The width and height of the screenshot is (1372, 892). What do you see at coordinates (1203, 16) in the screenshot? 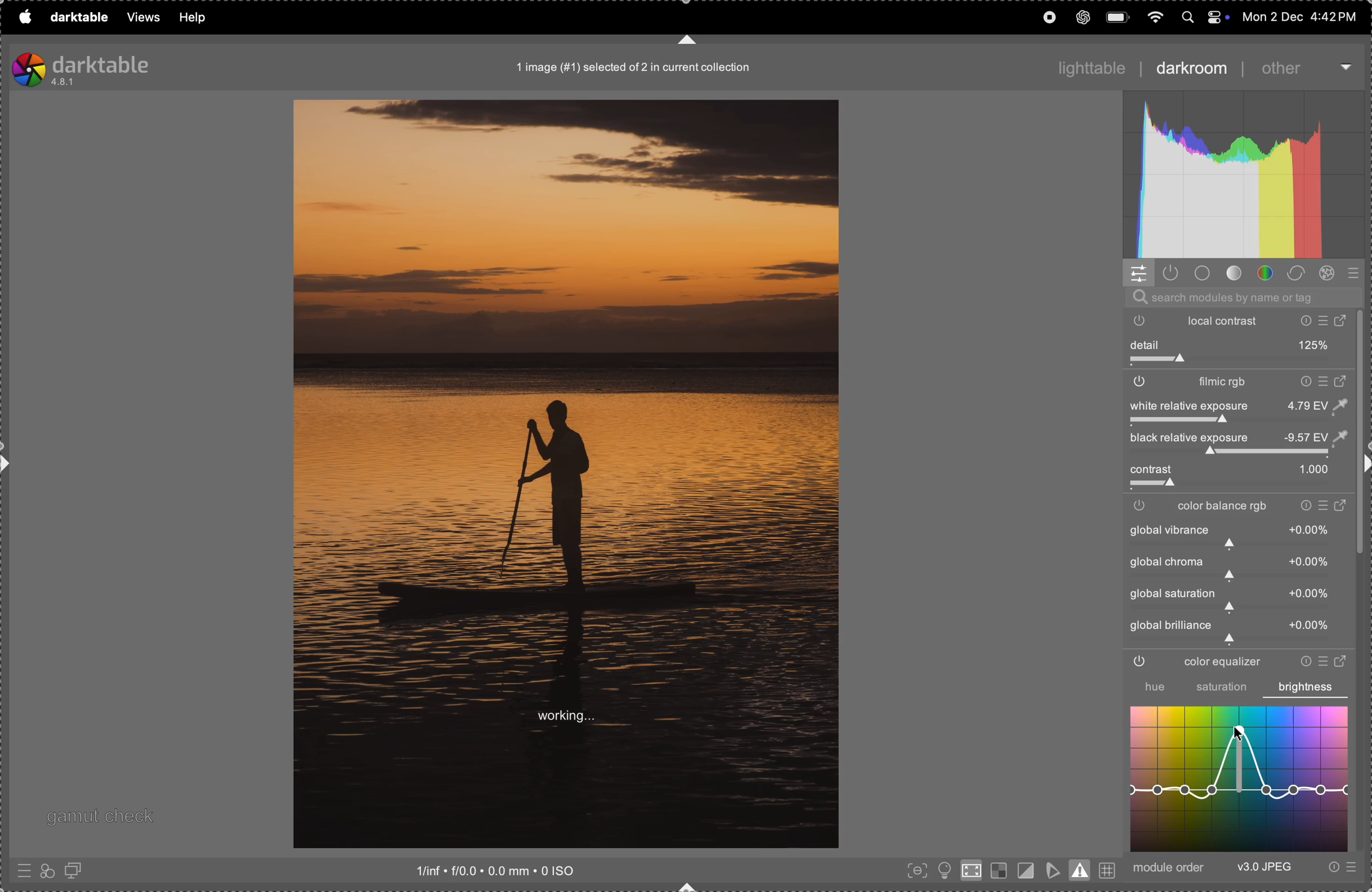
I see `apple widgets` at bounding box center [1203, 16].